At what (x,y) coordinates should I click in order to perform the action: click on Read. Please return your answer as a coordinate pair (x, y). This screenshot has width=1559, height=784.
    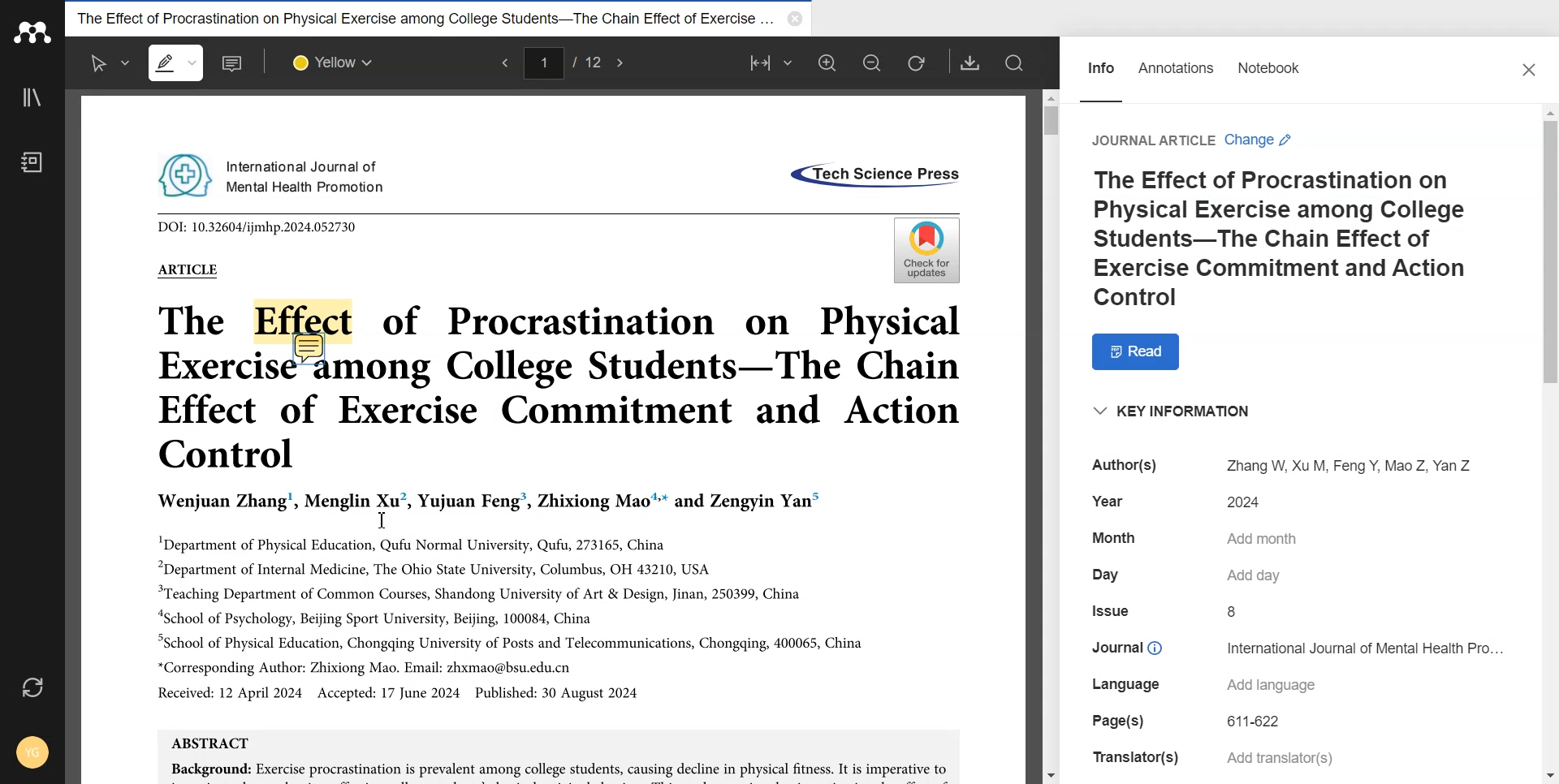
    Looking at the image, I should click on (1145, 351).